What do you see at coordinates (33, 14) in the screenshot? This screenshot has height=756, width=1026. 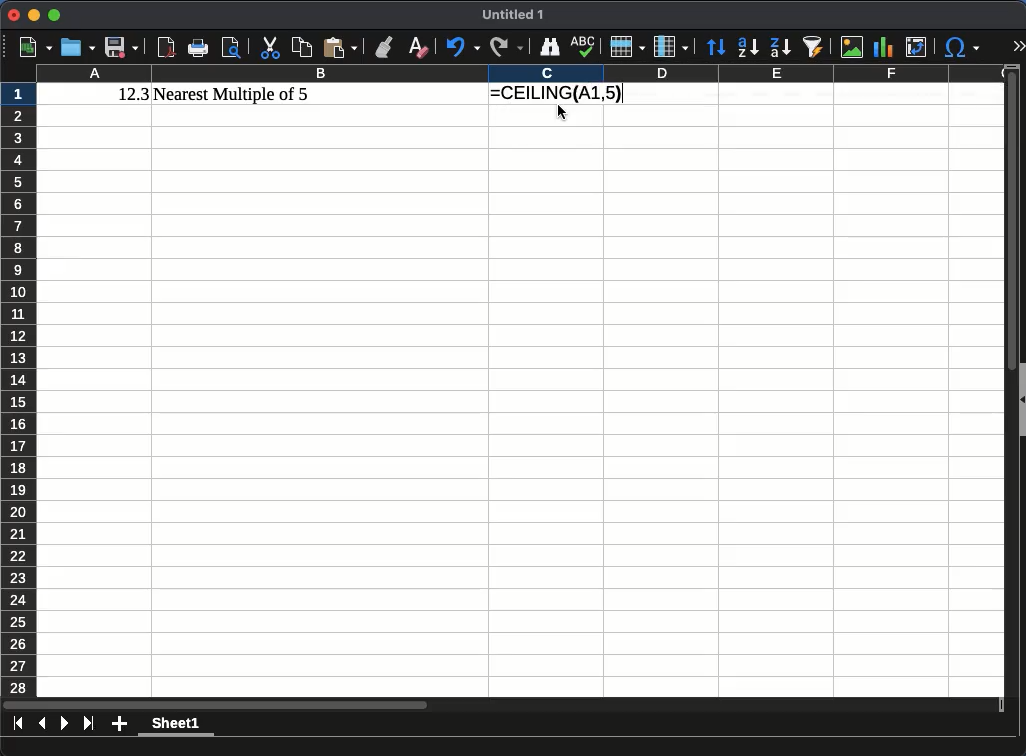 I see `minimize` at bounding box center [33, 14].